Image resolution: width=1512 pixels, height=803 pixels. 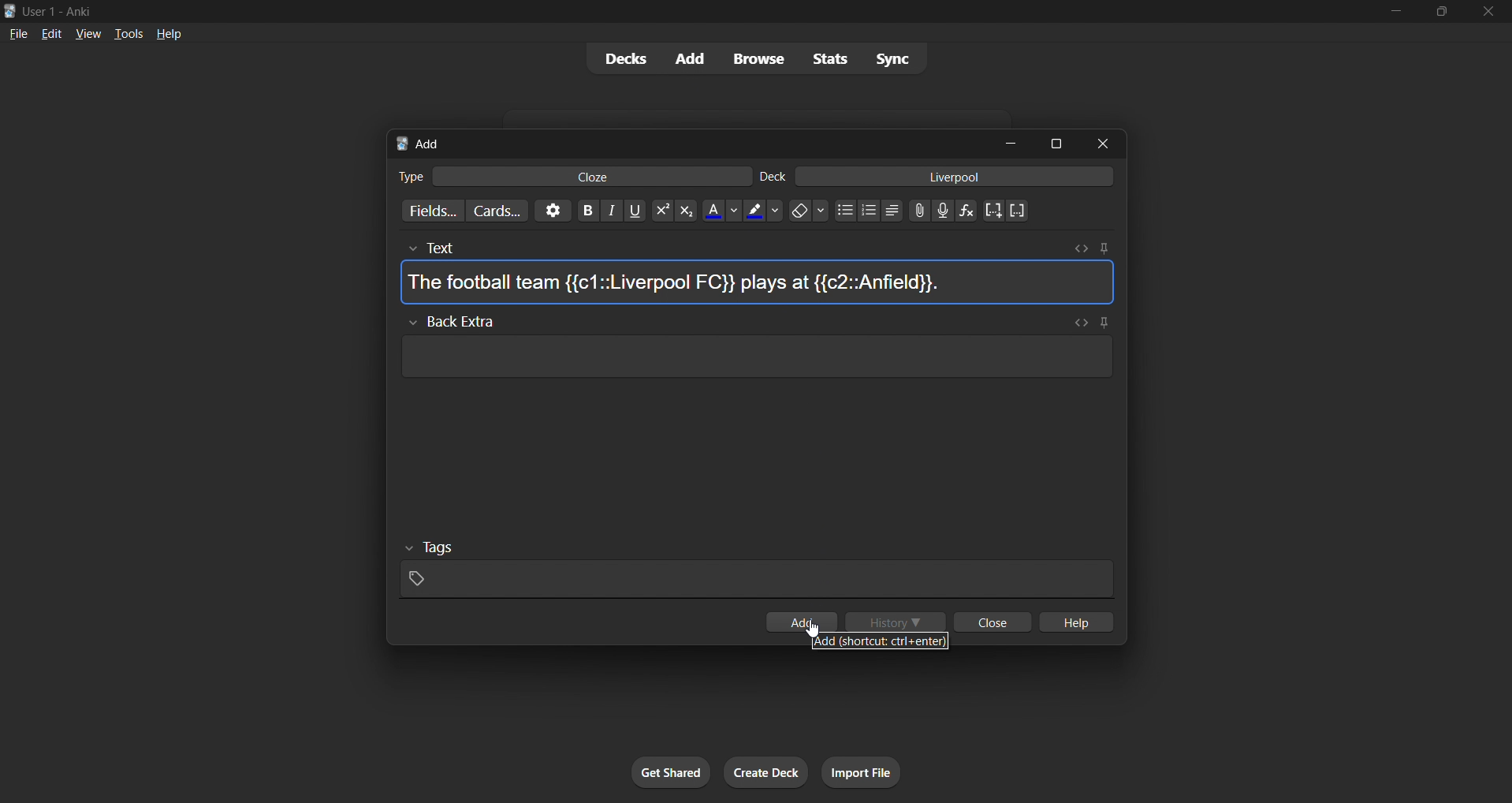 I want to click on minimize, so click(x=1398, y=13).